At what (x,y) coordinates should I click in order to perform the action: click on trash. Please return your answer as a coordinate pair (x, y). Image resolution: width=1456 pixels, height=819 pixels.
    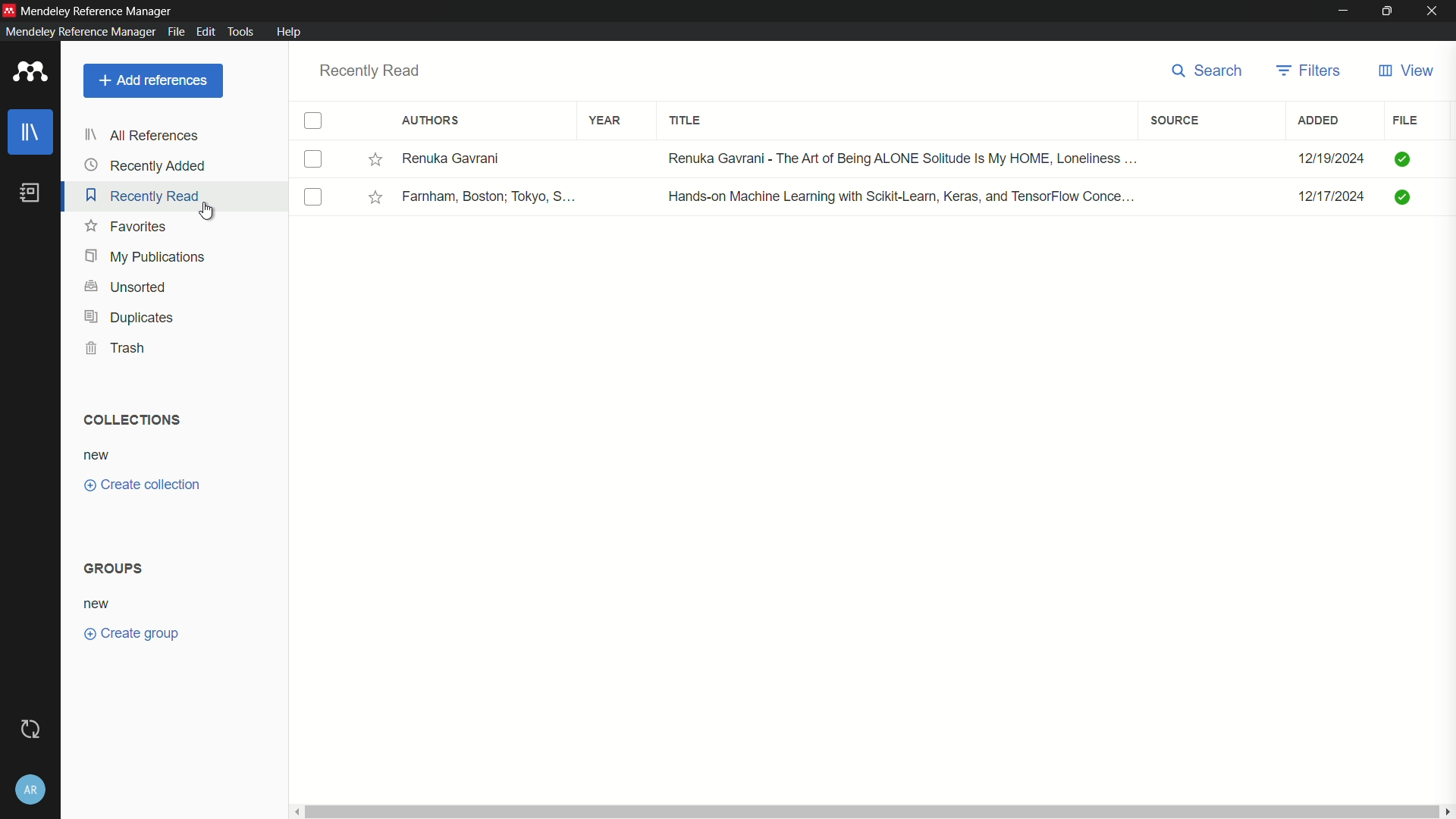
    Looking at the image, I should click on (114, 348).